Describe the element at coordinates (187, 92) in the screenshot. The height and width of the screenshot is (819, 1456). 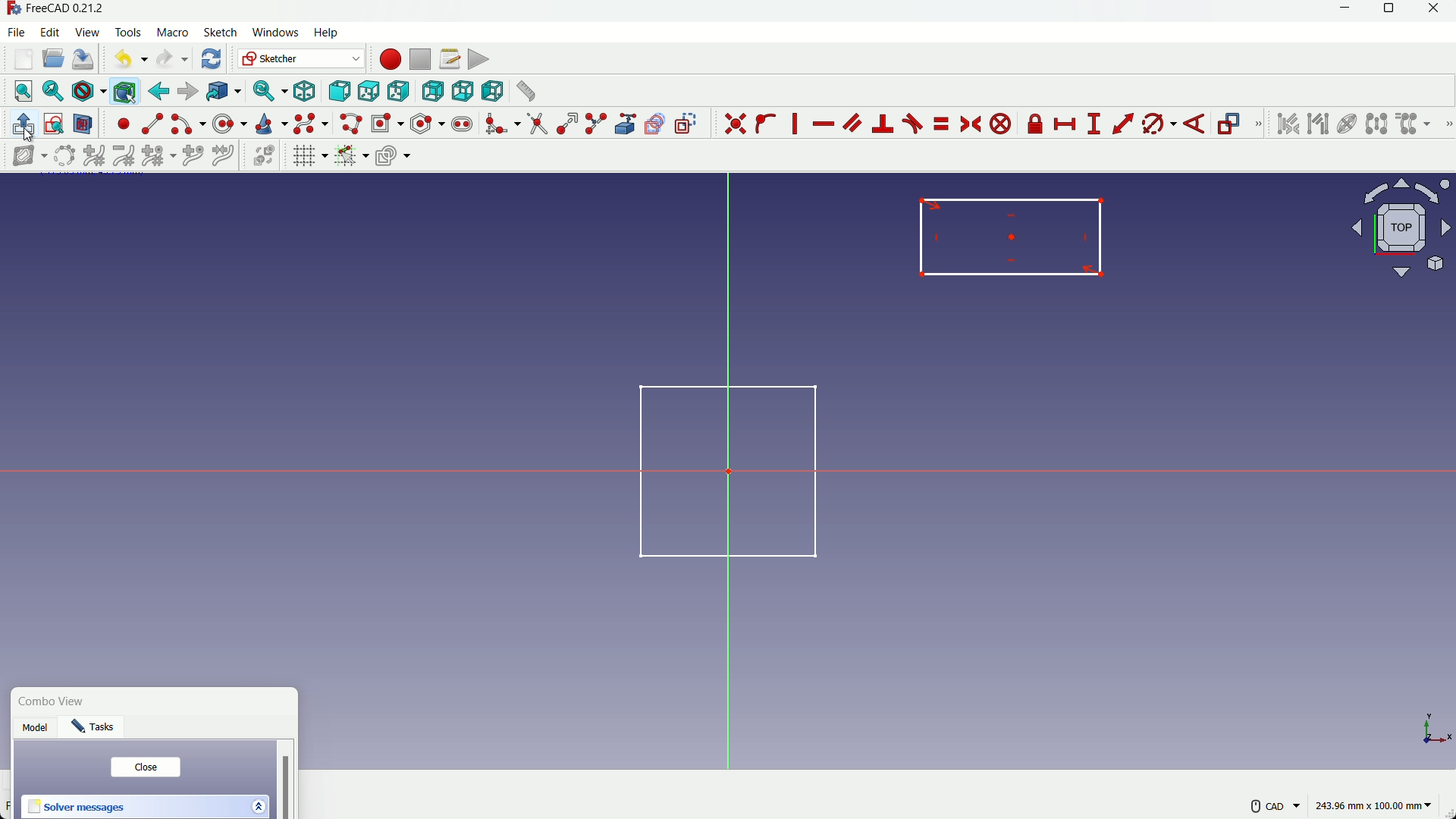
I see `forward` at that location.